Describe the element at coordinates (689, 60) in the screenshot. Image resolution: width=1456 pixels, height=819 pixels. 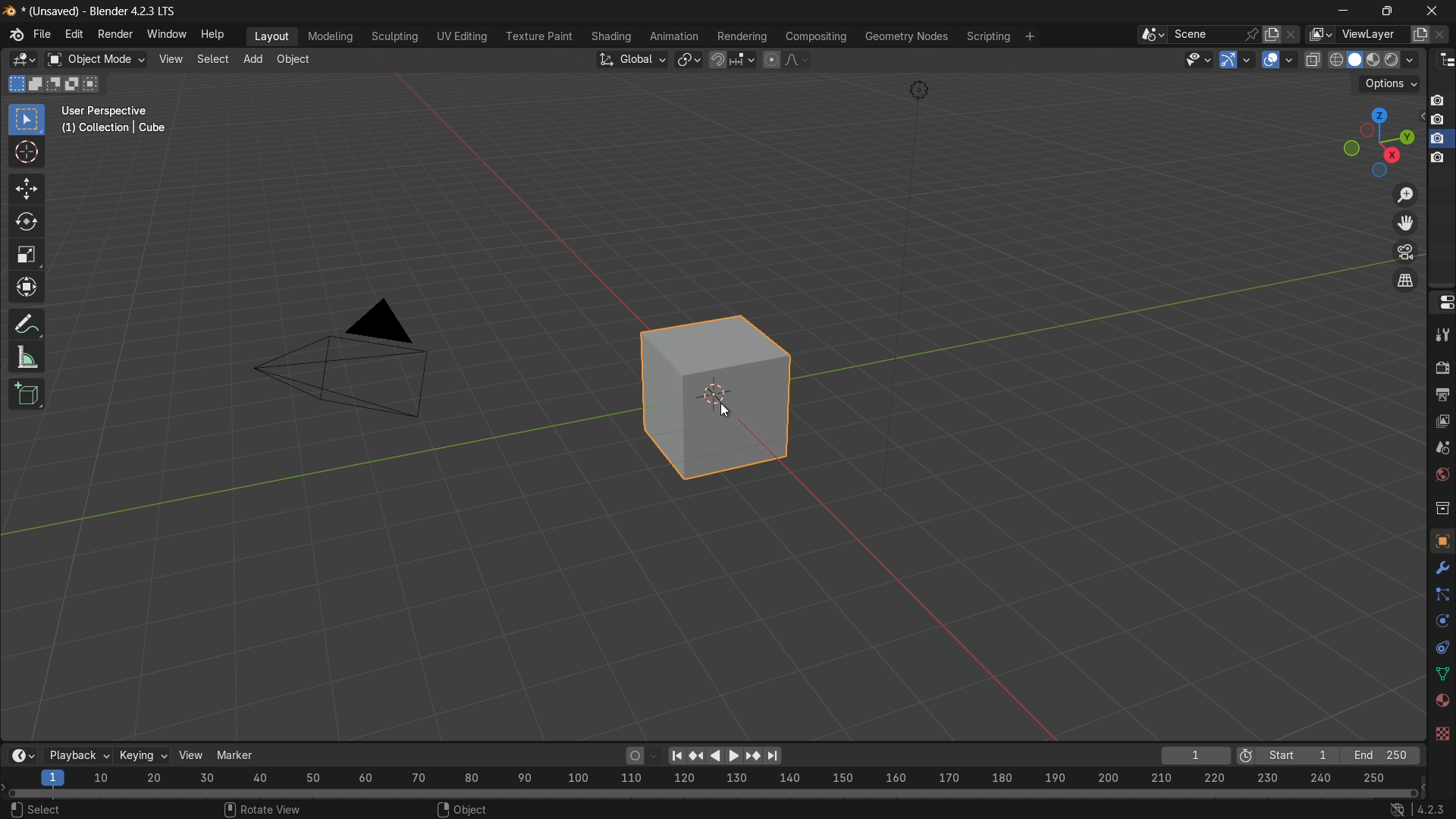
I see `transform pivot point` at that location.